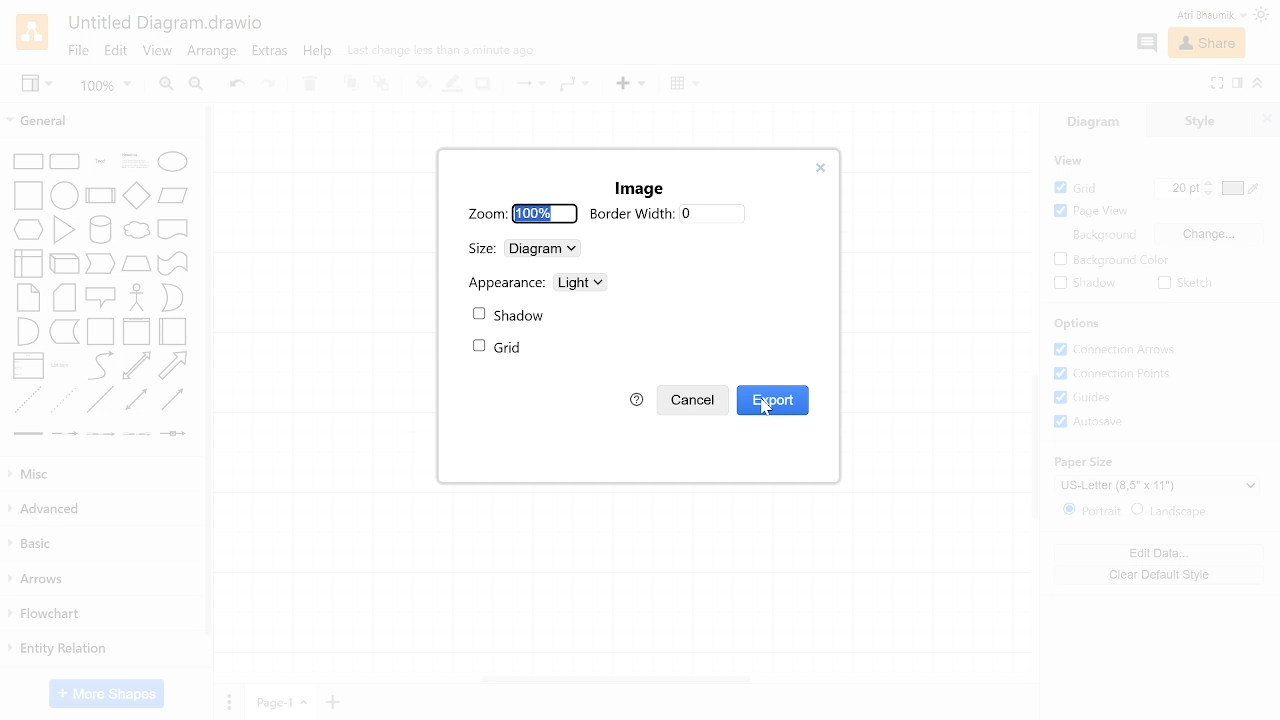 The image size is (1280, 720). I want to click on Grid pts, so click(1179, 189).